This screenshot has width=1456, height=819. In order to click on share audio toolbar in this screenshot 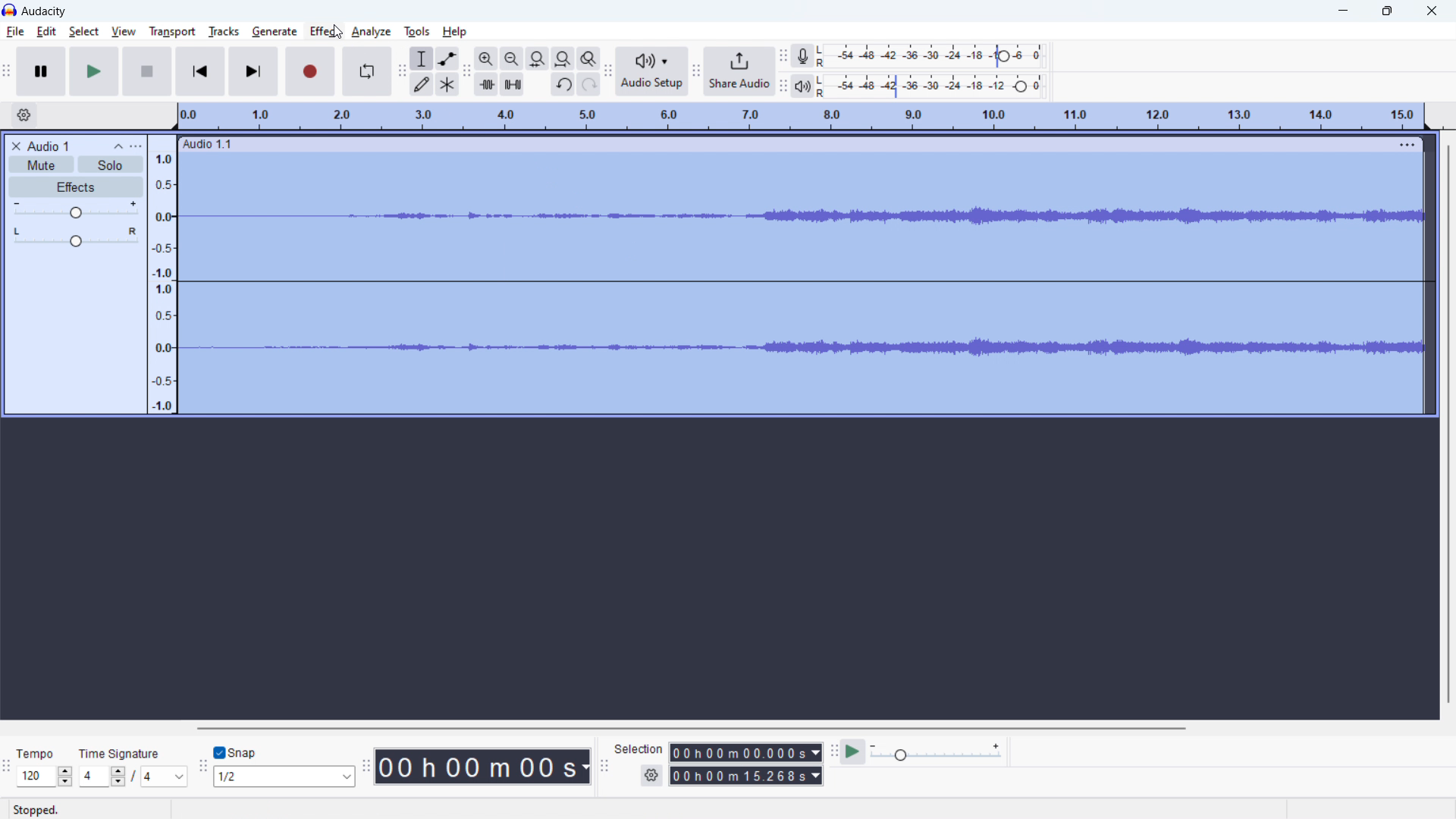, I will do `click(697, 71)`.